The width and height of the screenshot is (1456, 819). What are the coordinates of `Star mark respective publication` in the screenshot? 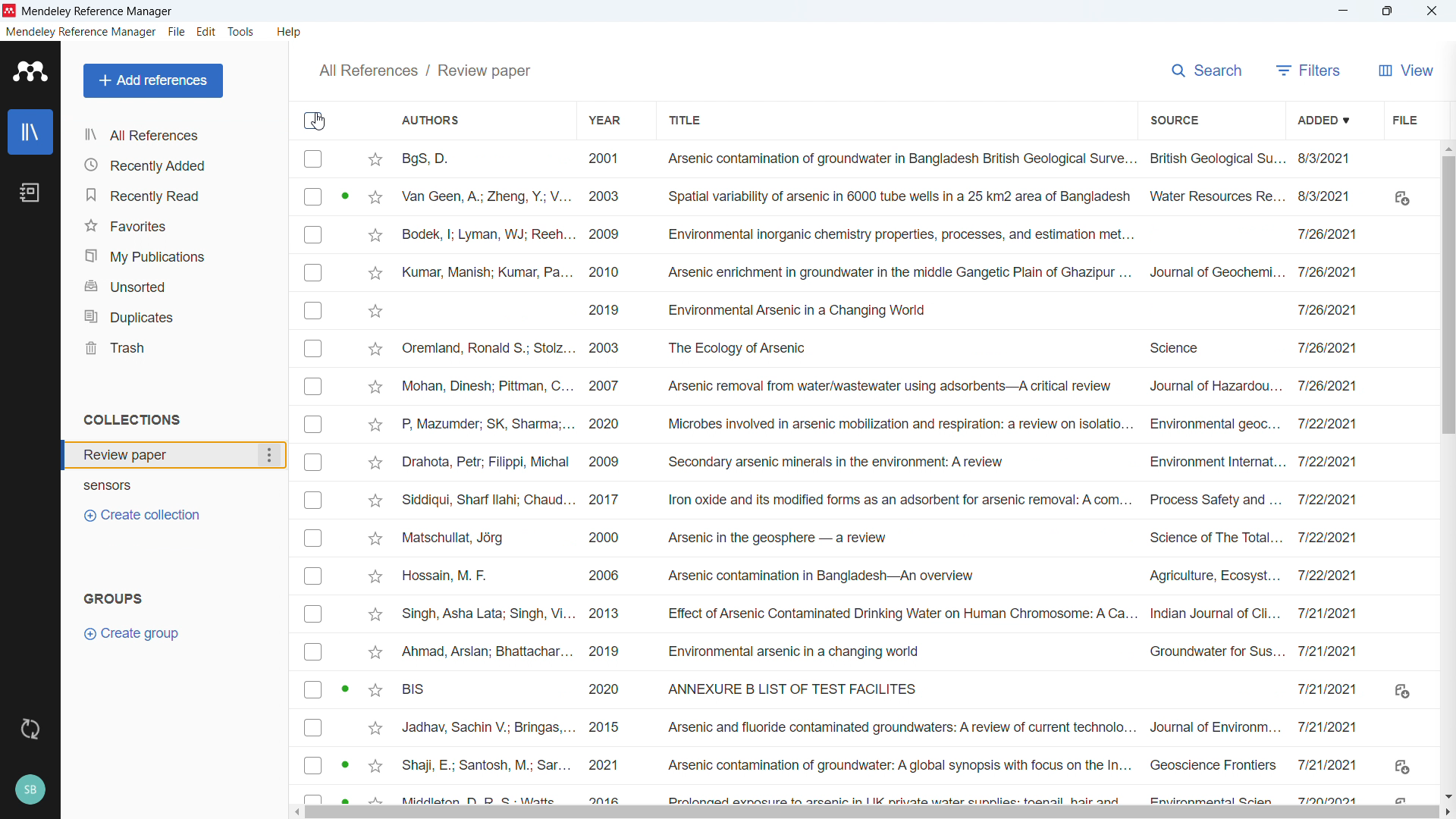 It's located at (375, 198).